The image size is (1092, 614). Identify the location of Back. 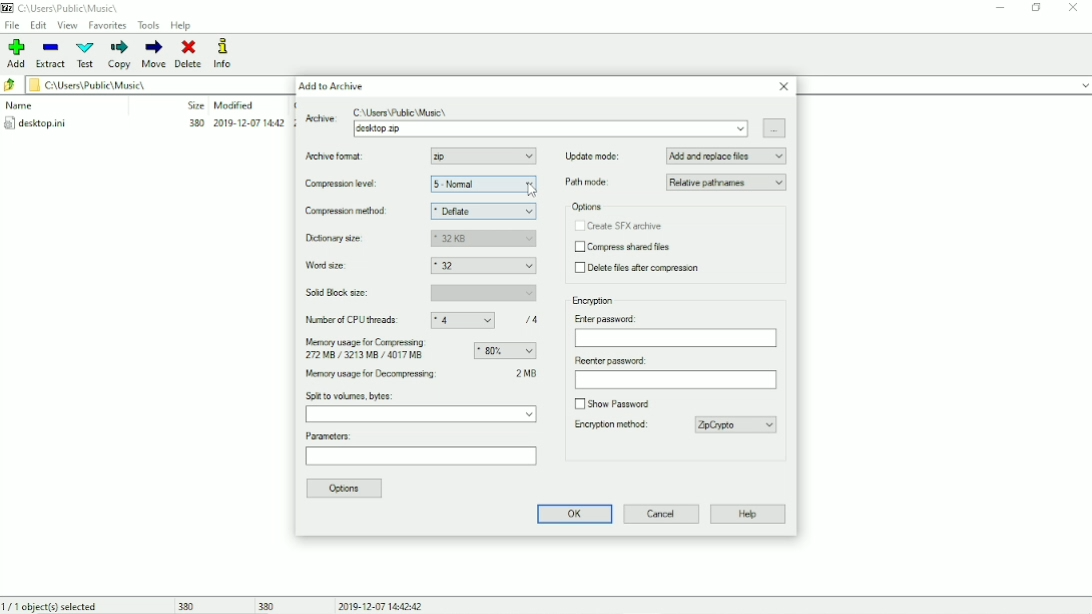
(10, 86).